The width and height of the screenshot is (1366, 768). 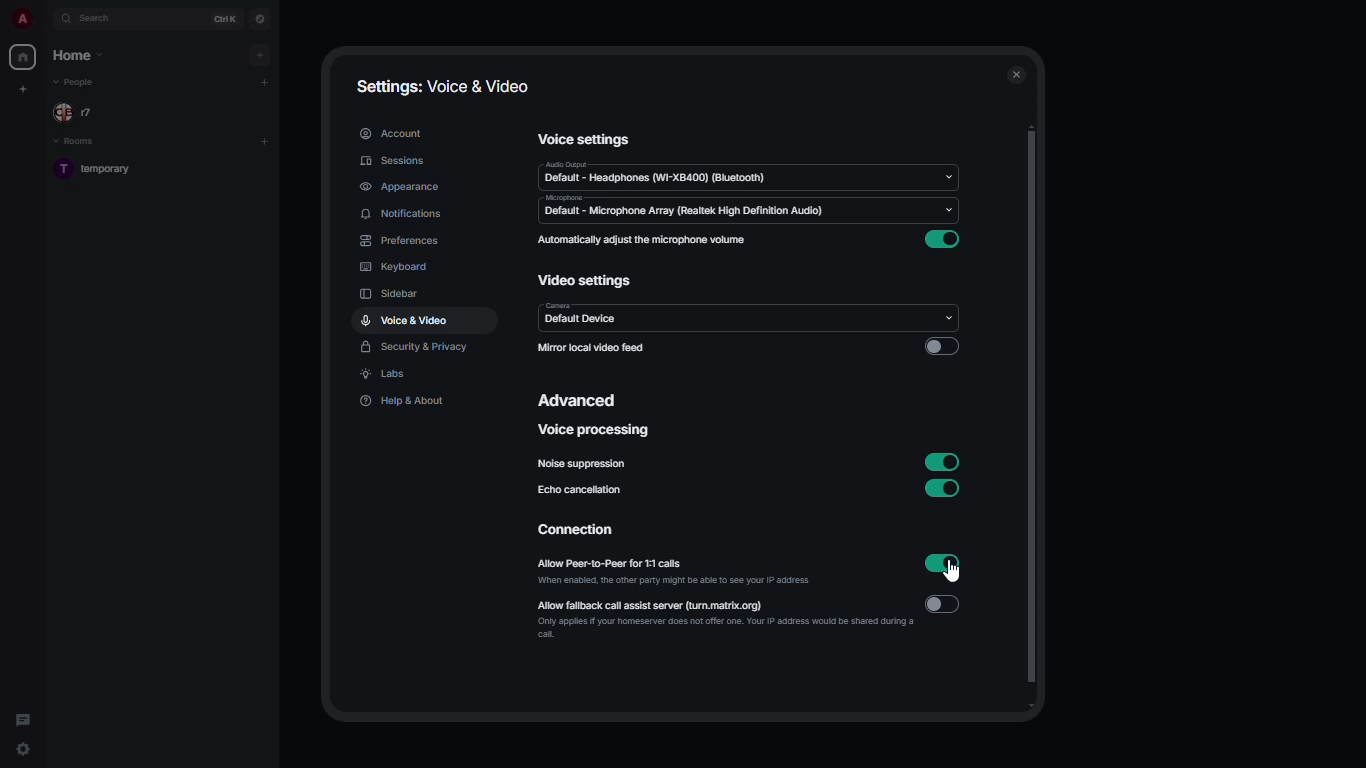 What do you see at coordinates (587, 140) in the screenshot?
I see `voice settings` at bounding box center [587, 140].